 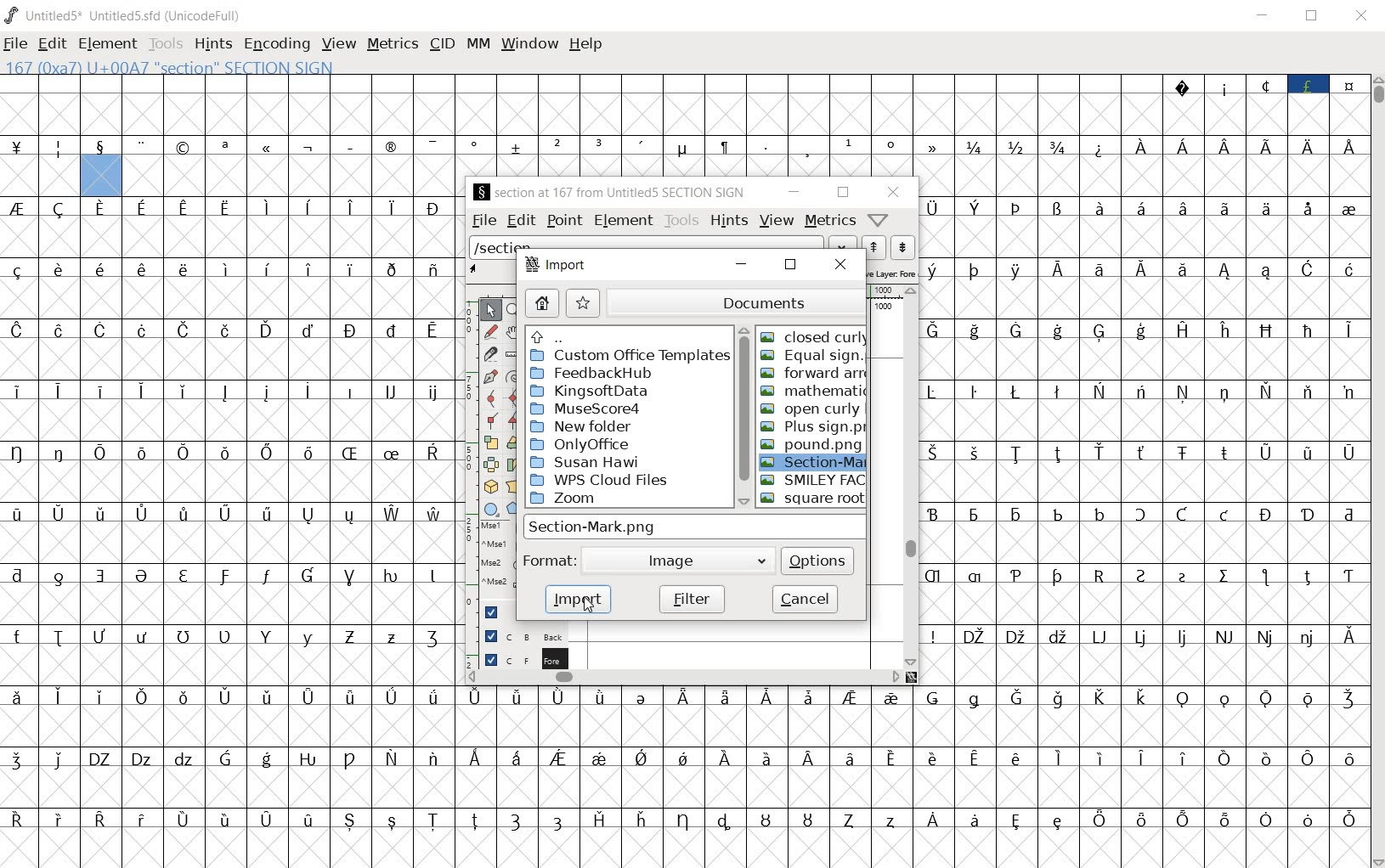 What do you see at coordinates (685, 848) in the screenshot?
I see `empty cells` at bounding box center [685, 848].